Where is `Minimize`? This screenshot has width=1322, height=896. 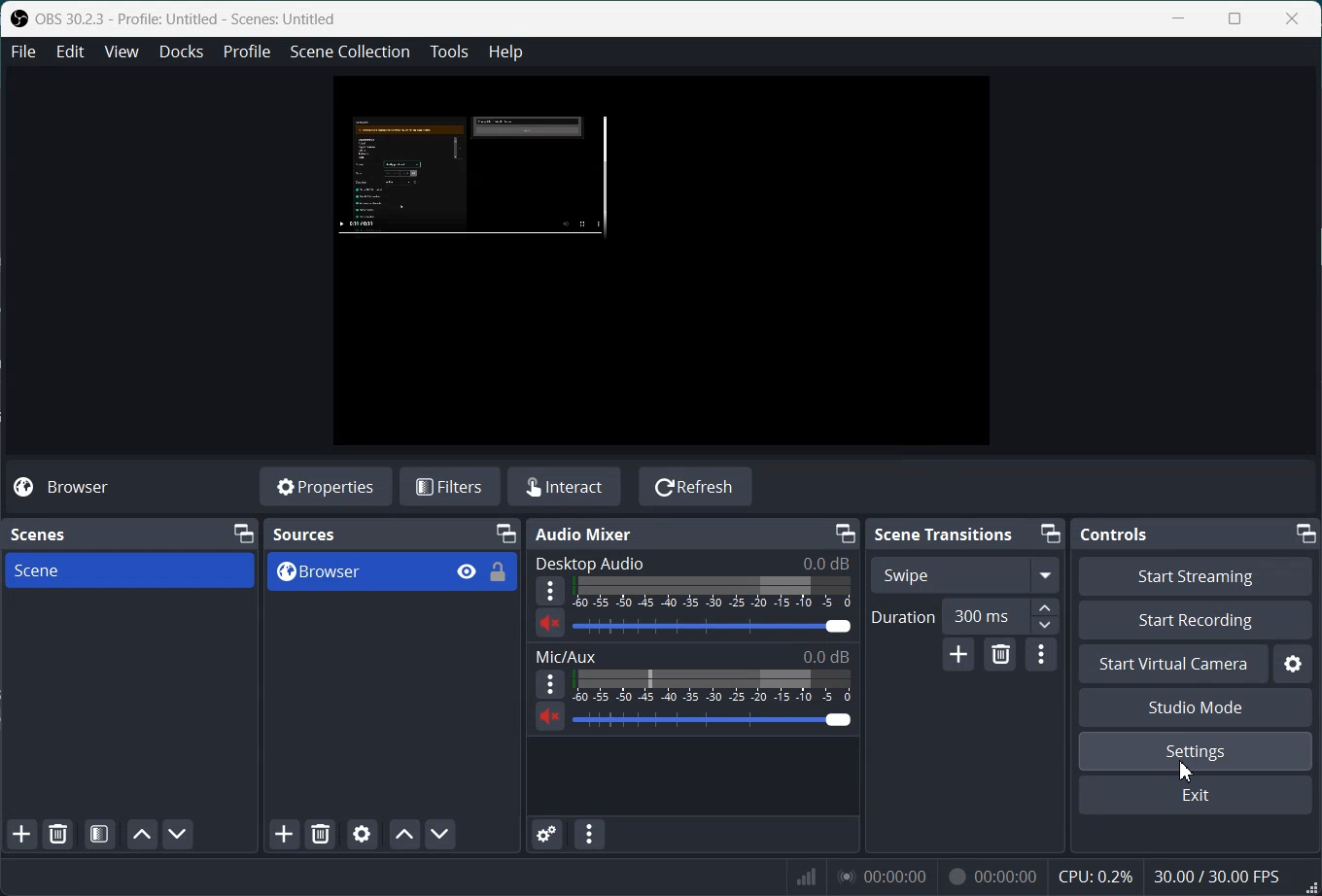 Minimize is located at coordinates (1307, 533).